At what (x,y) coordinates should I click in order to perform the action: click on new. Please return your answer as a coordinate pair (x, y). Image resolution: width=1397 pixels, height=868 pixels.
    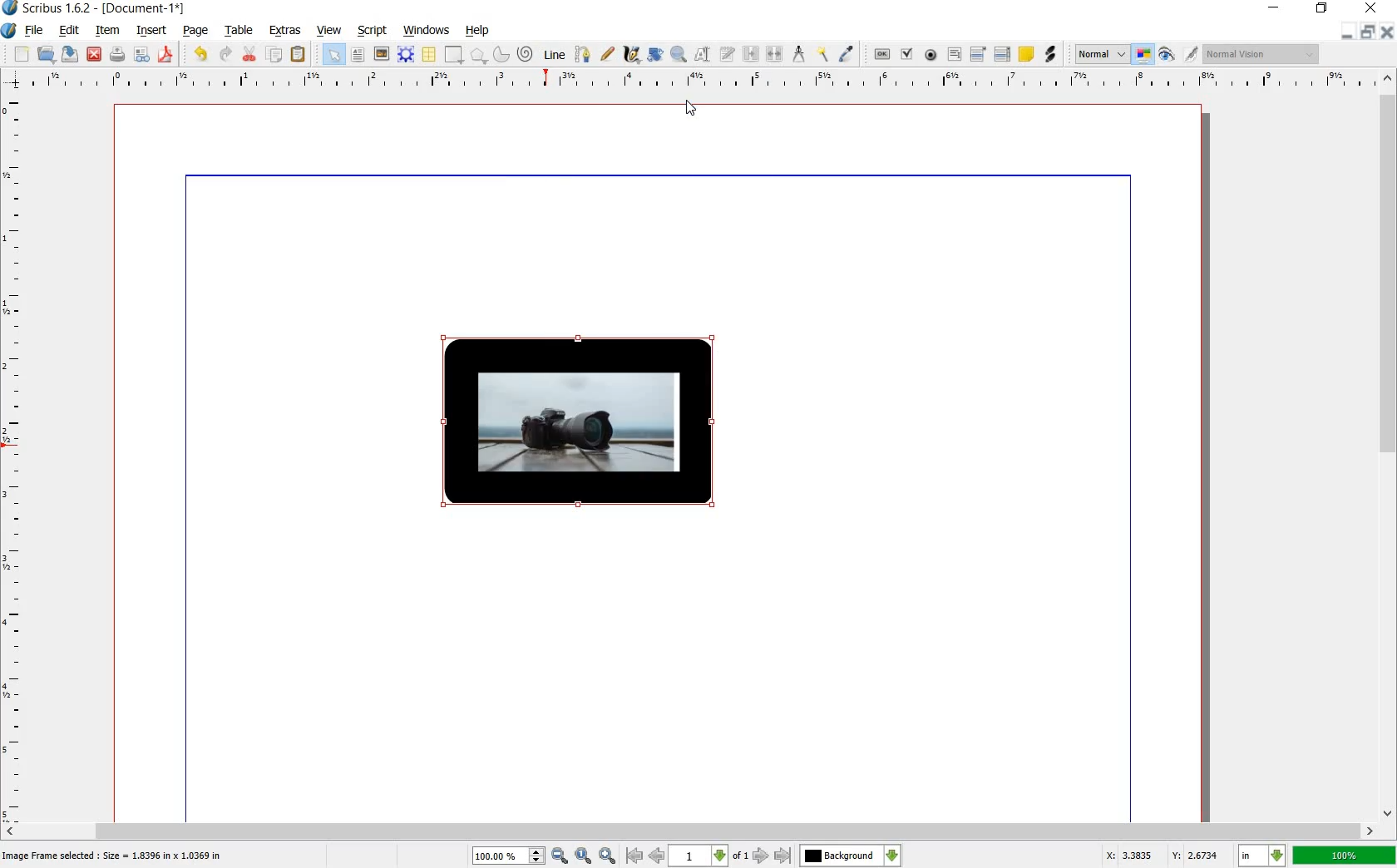
    Looking at the image, I should click on (21, 54).